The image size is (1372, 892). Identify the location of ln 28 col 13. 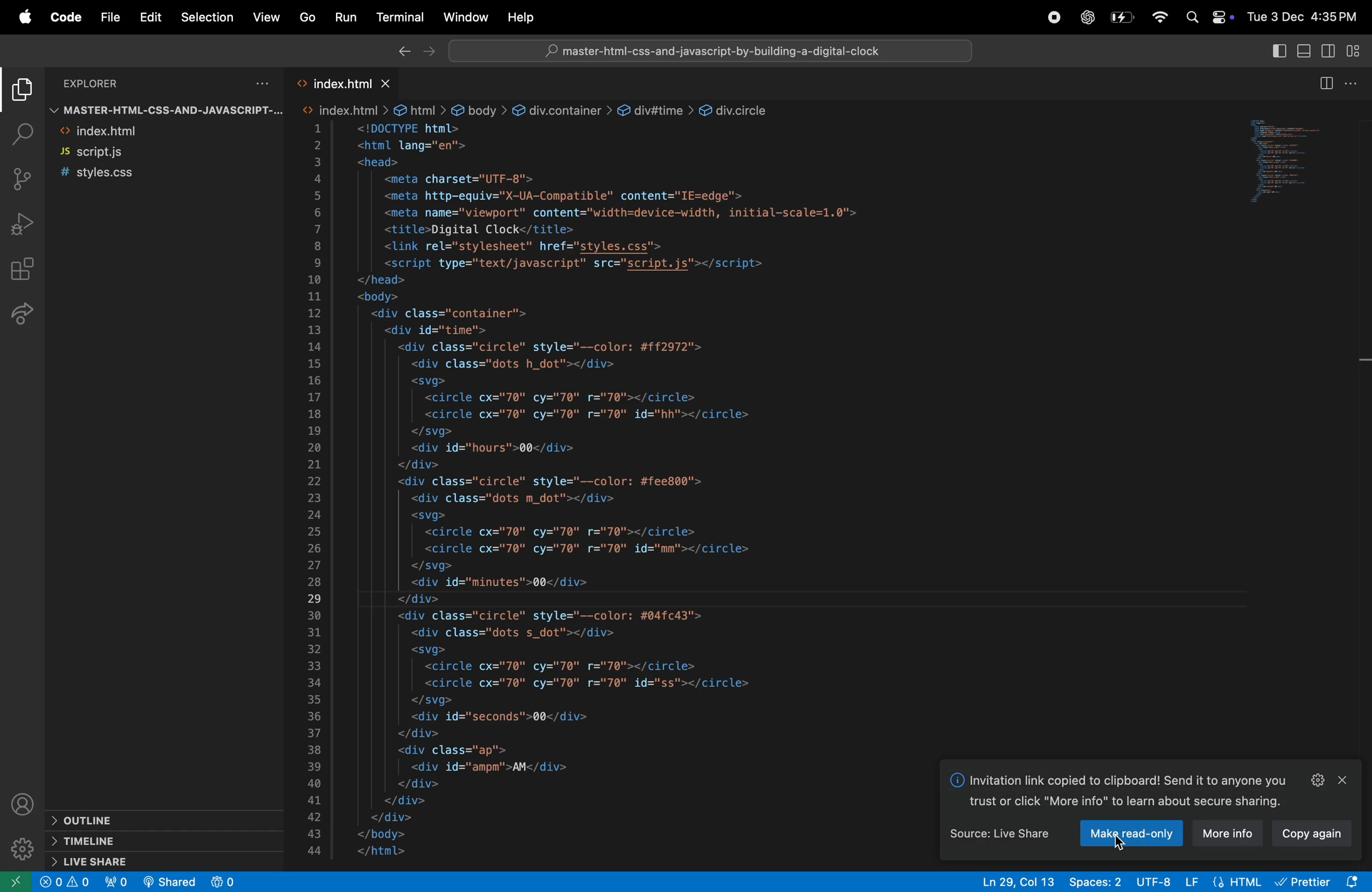
(1019, 880).